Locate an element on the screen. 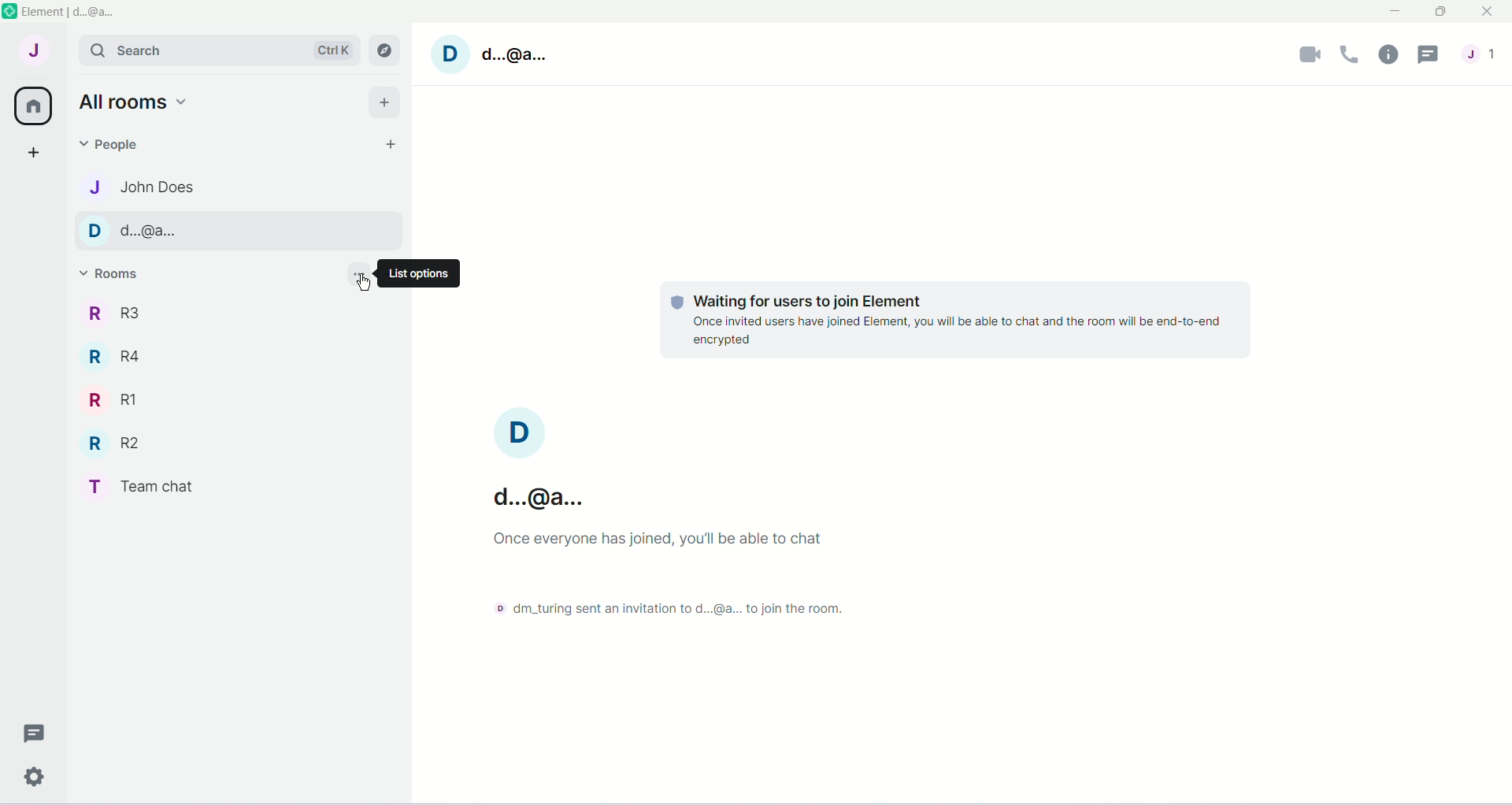 The width and height of the screenshot is (1512, 805). User menu is located at coordinates (33, 50).